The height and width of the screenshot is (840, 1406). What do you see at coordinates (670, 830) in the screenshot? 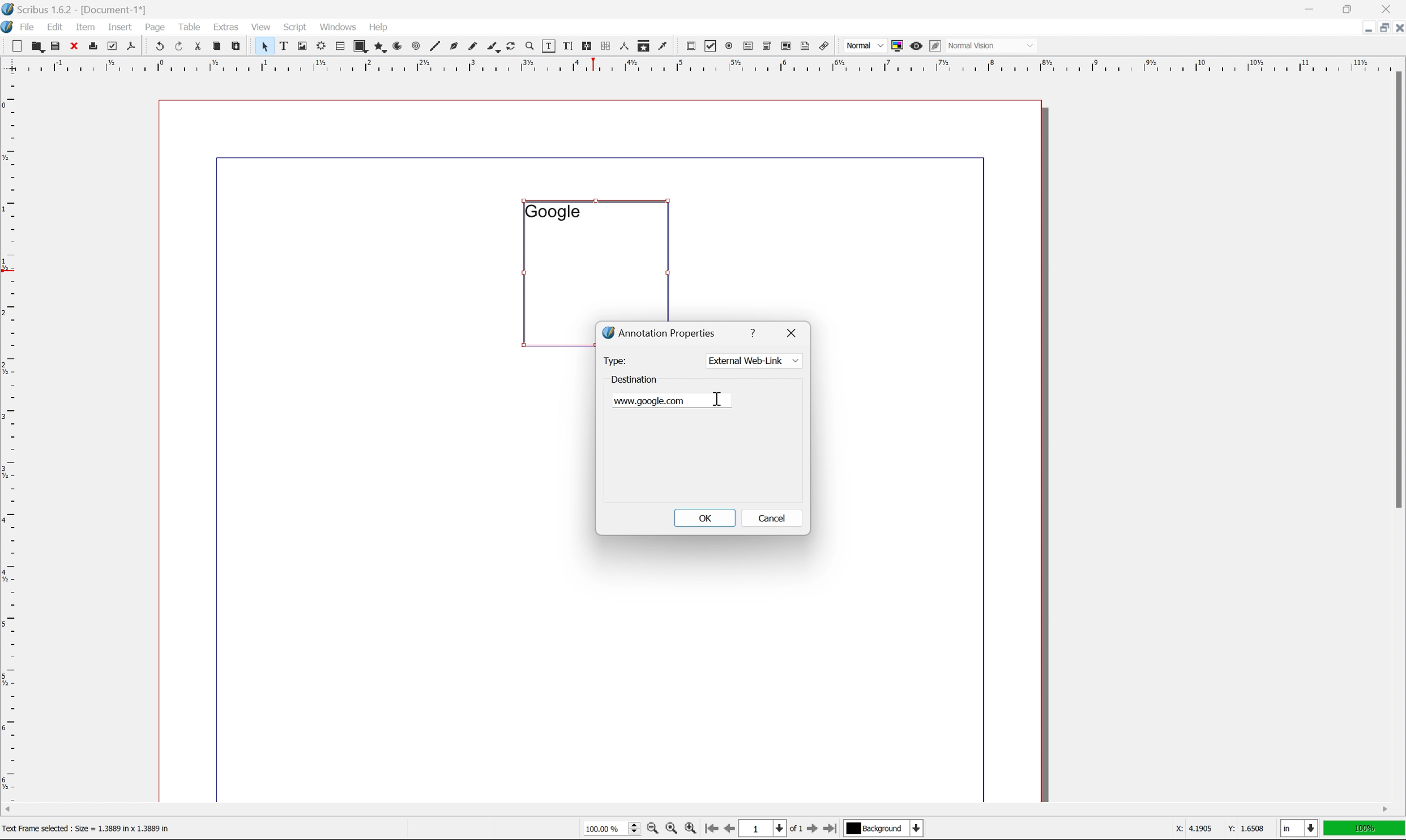
I see `zoom to 100%` at bounding box center [670, 830].